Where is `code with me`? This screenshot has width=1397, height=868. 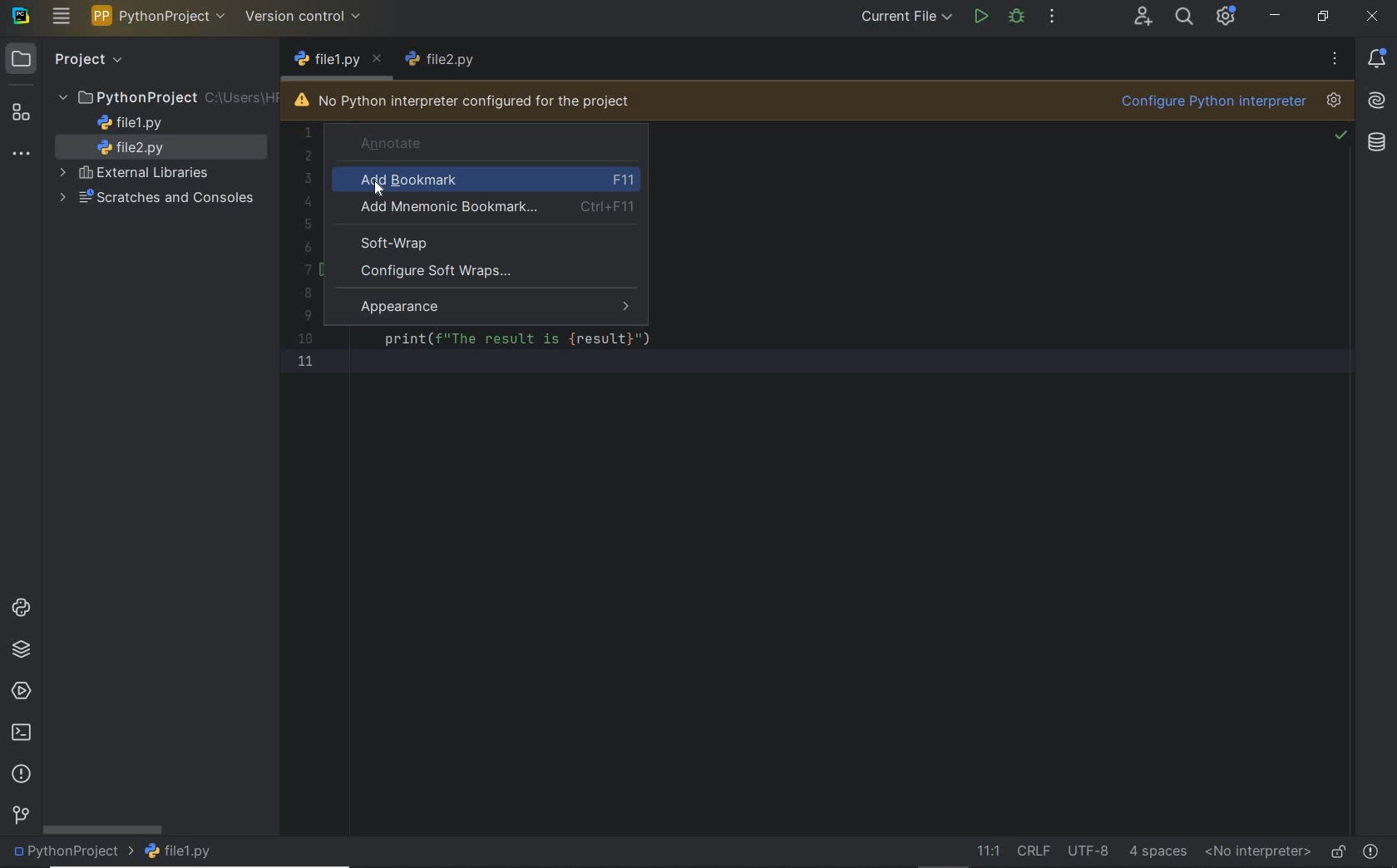 code with me is located at coordinates (1143, 18).